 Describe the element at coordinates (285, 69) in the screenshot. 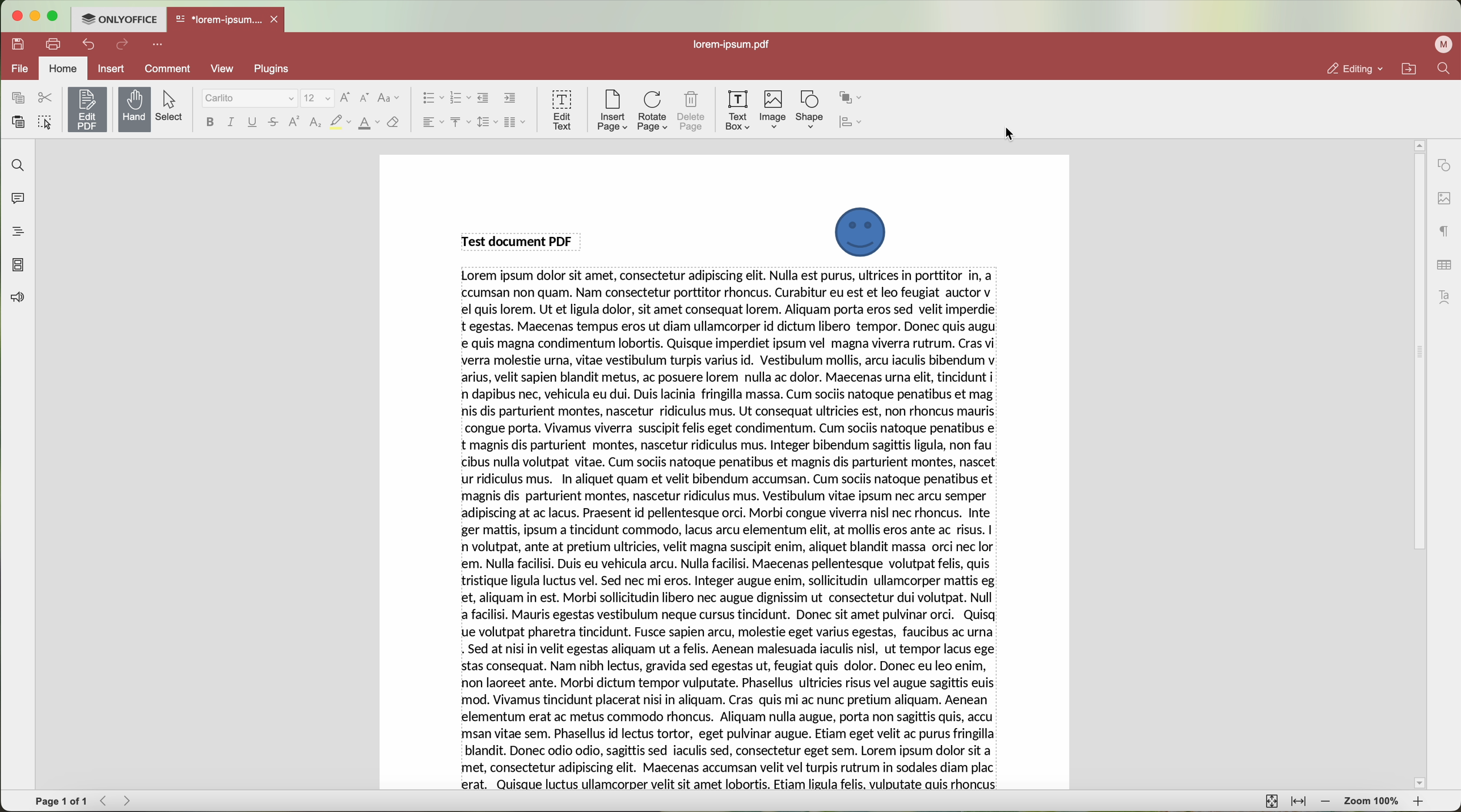

I see `plugins` at that location.